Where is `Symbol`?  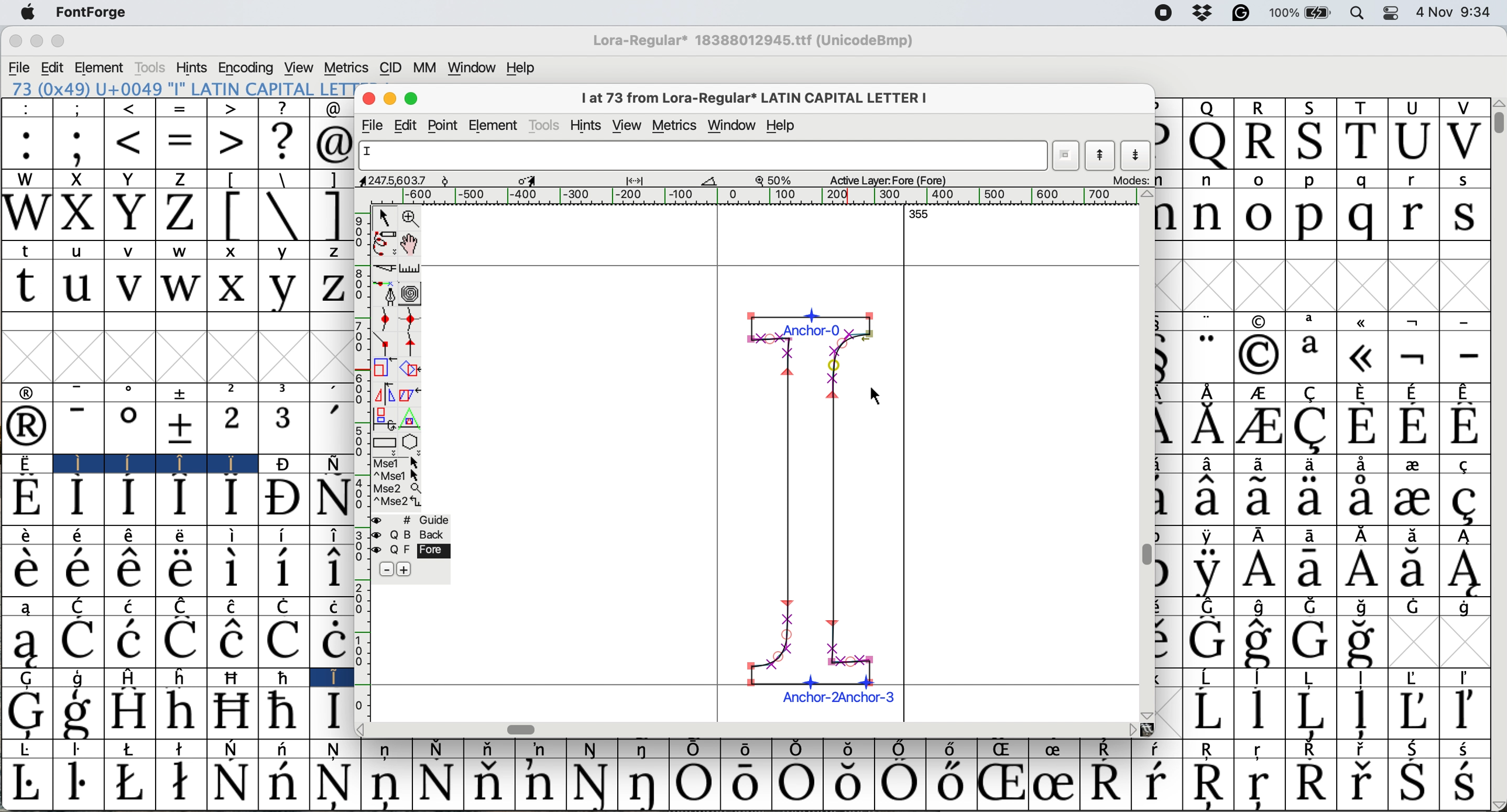 Symbol is located at coordinates (387, 784).